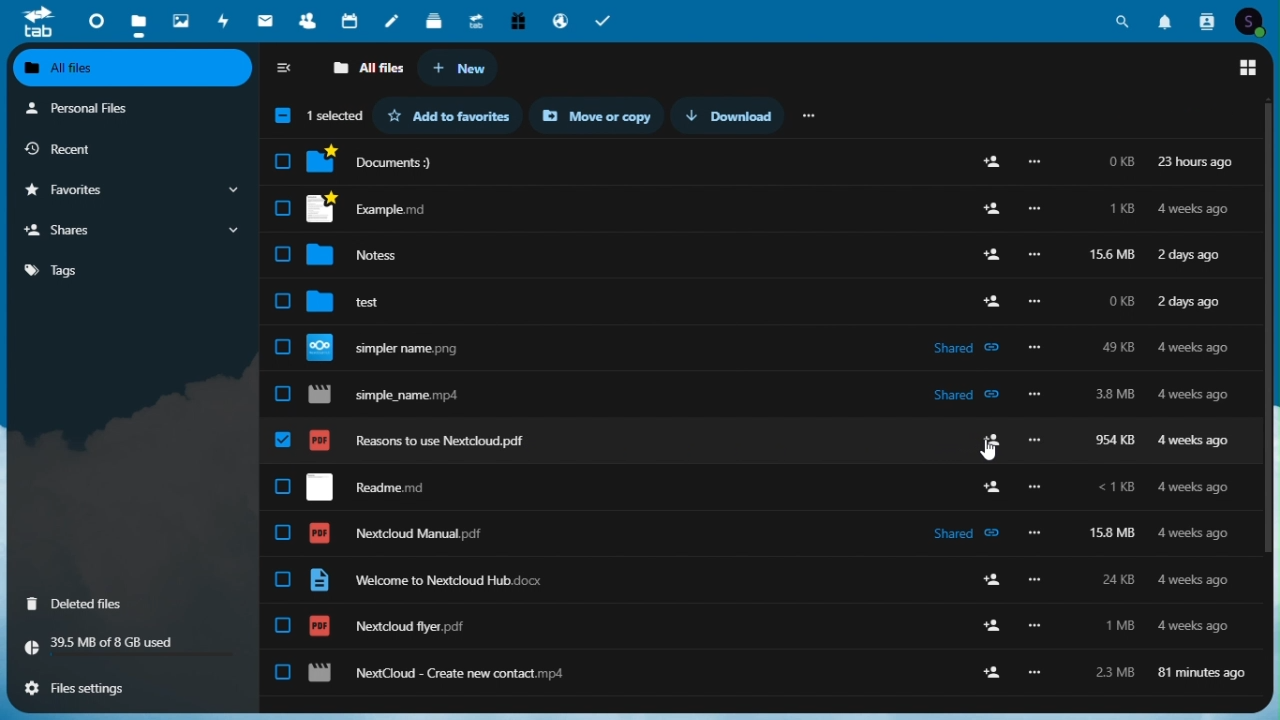 The image size is (1280, 720). Describe the element at coordinates (596, 115) in the screenshot. I see `Move or copy` at that location.